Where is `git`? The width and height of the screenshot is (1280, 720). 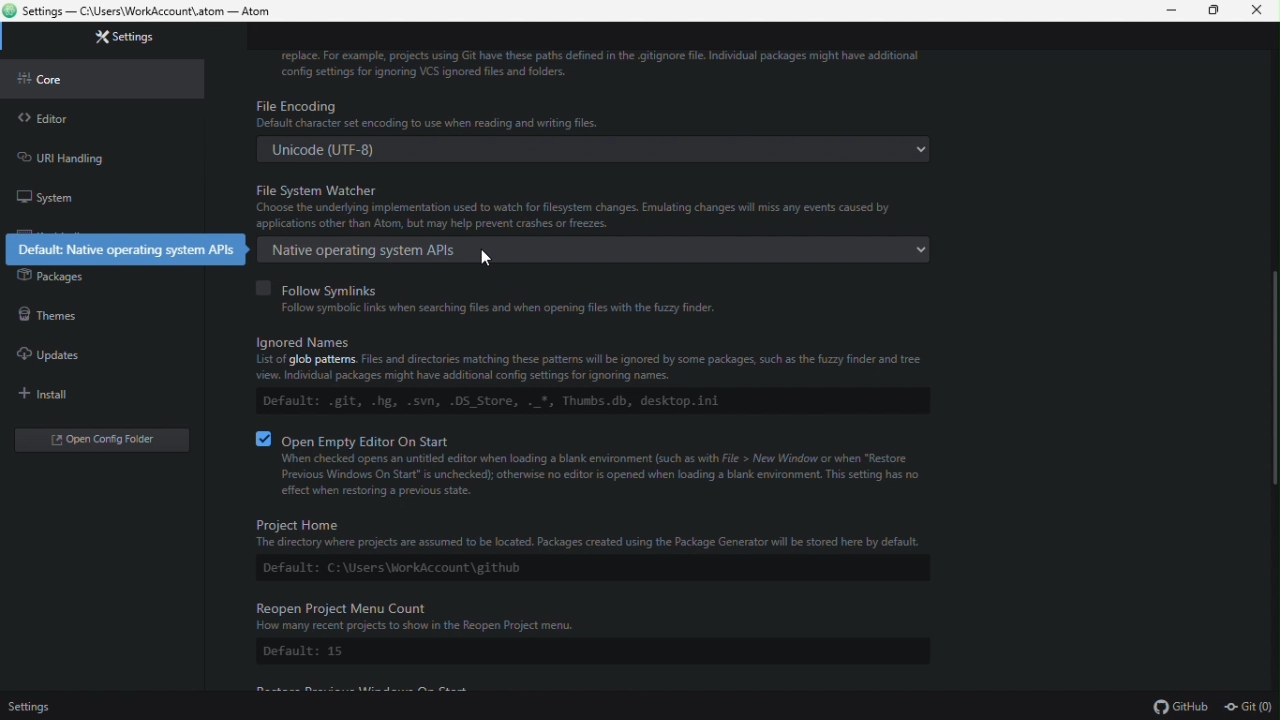
git is located at coordinates (1252, 707).